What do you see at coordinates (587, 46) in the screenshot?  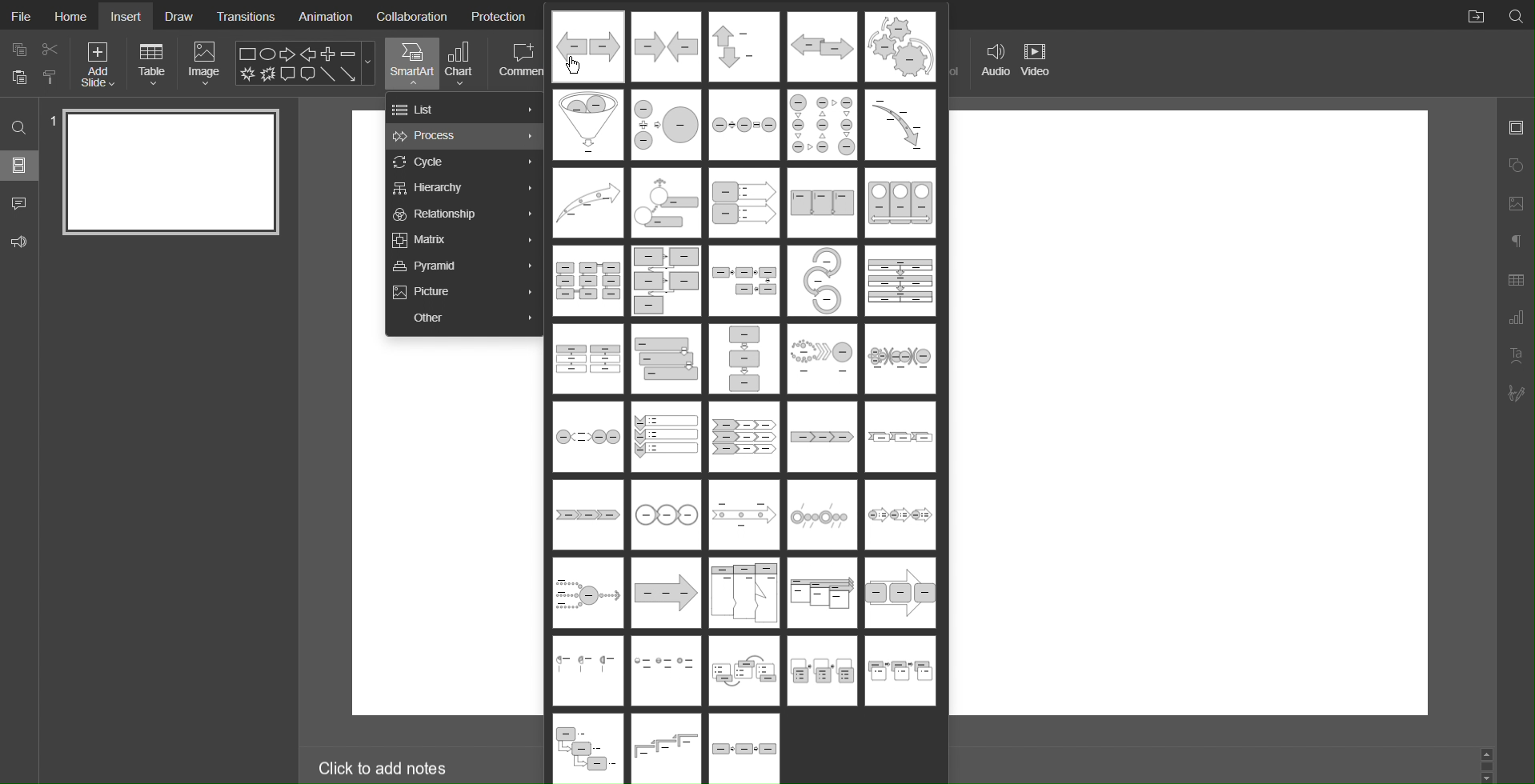 I see `Process Template 1` at bounding box center [587, 46].